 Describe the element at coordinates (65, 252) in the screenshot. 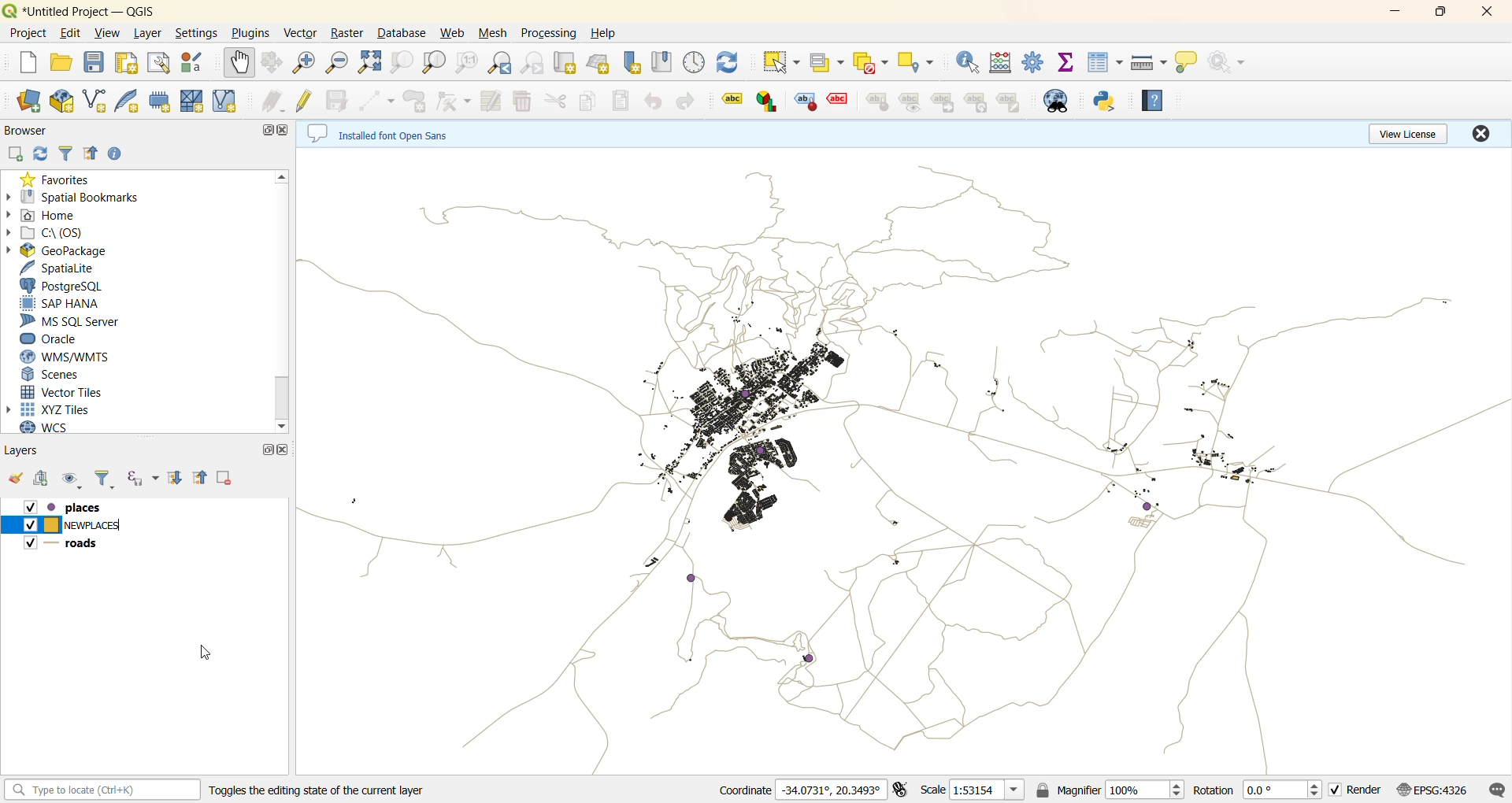

I see `geopackage` at that location.